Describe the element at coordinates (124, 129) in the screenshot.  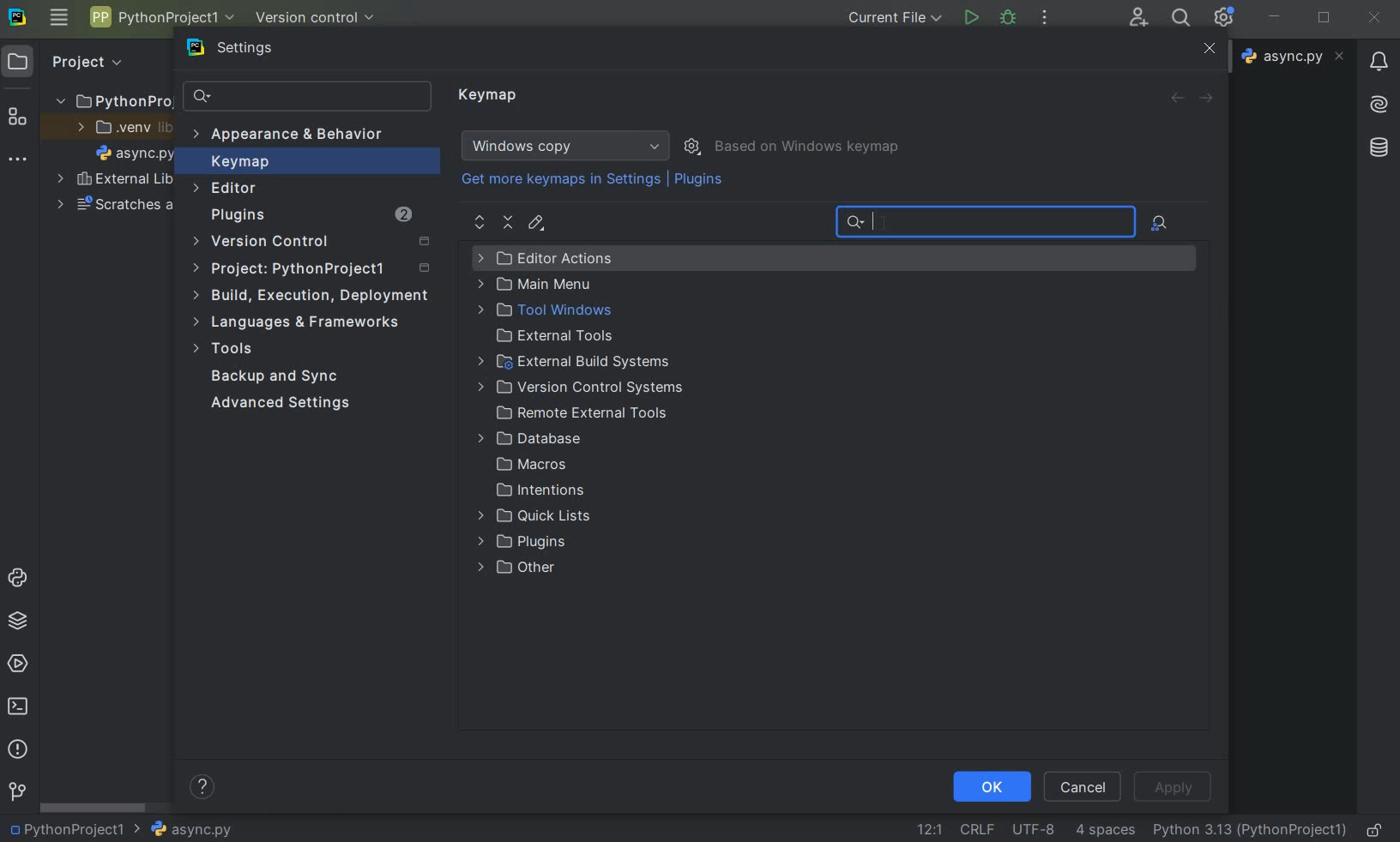
I see `.venv` at that location.